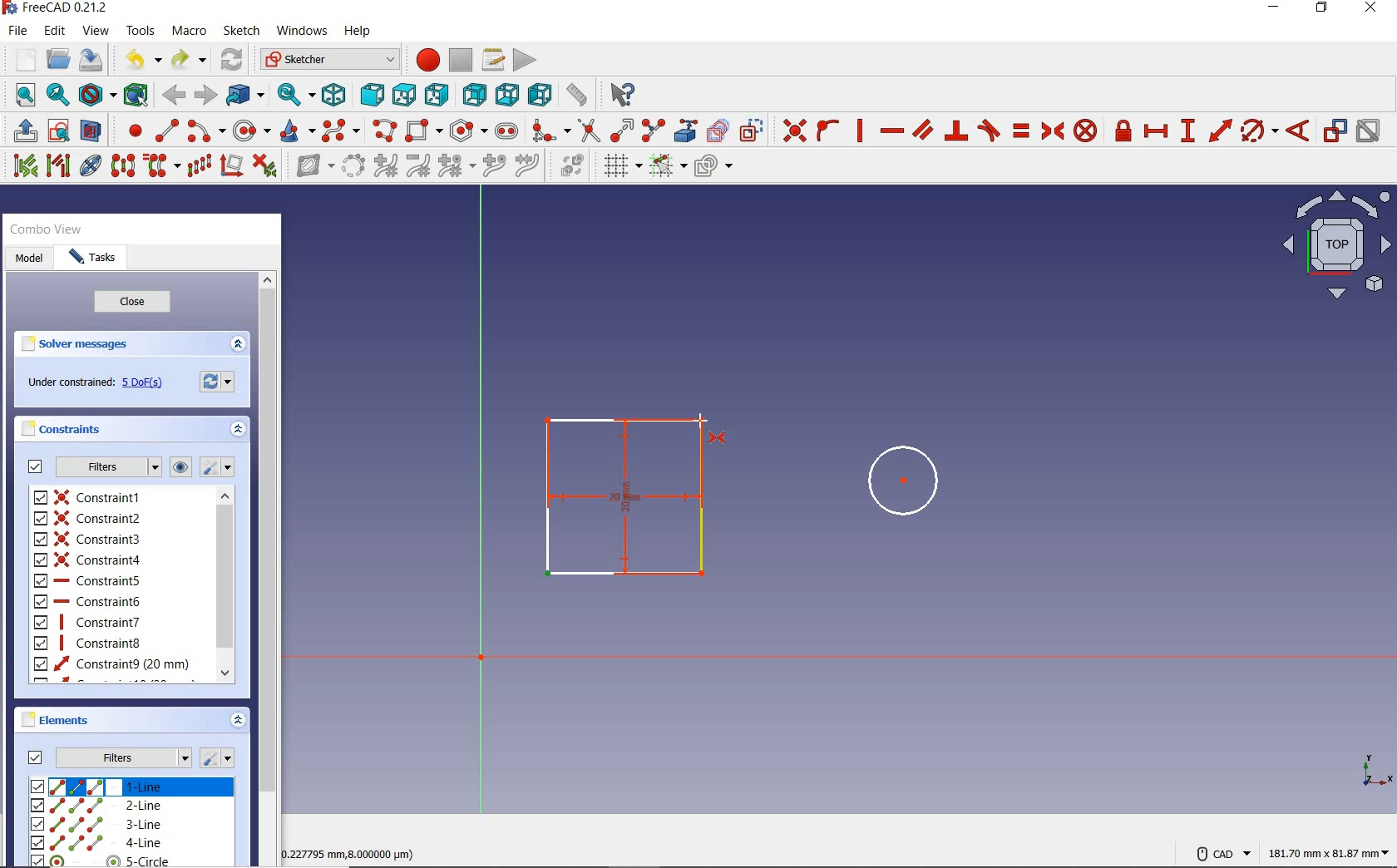 Image resolution: width=1397 pixels, height=868 pixels. Describe the element at coordinates (329, 60) in the screenshot. I see `Sketcher` at that location.